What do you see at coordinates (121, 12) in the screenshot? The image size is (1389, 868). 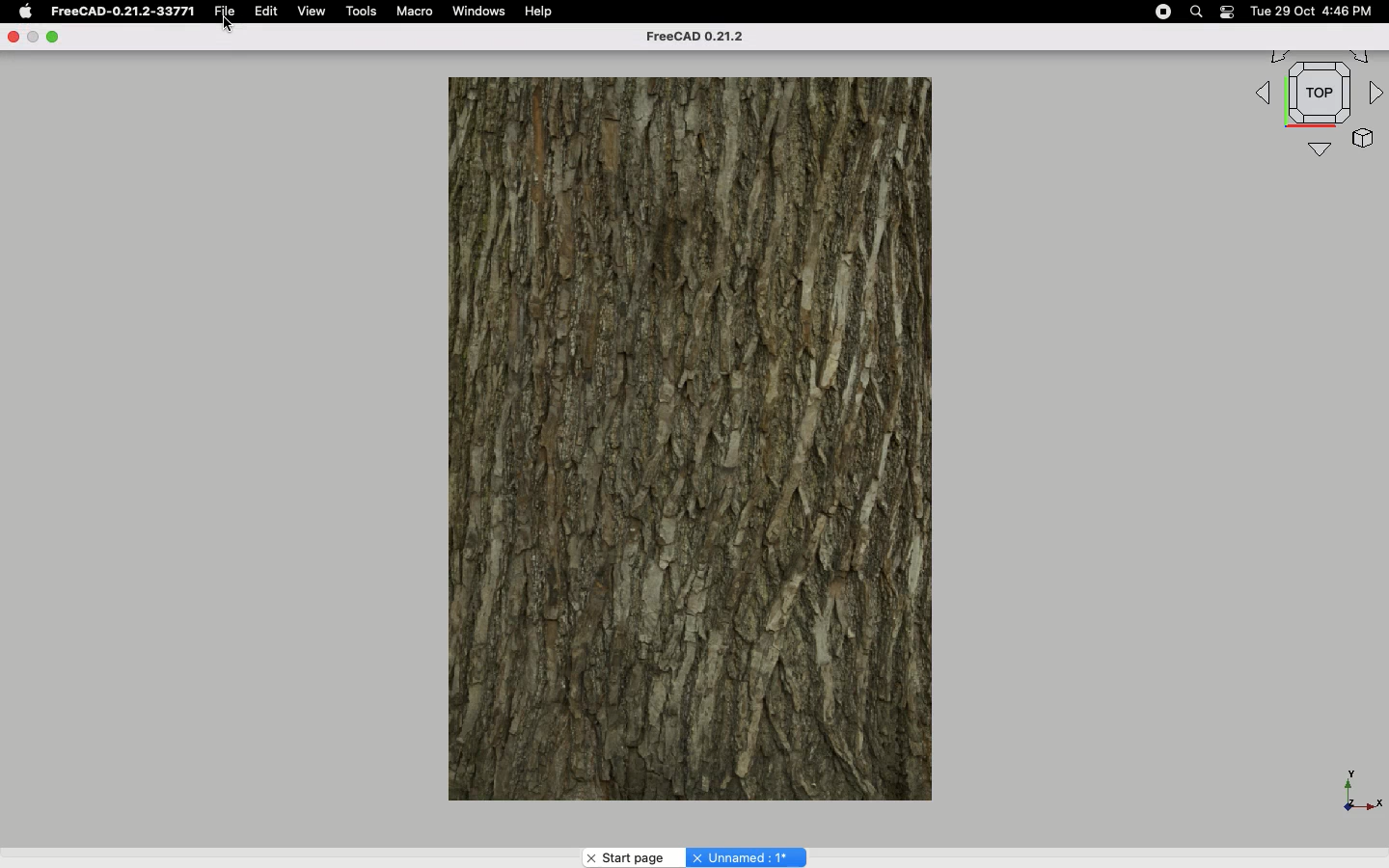 I see `FreeCAD-0.21.2-33771` at bounding box center [121, 12].